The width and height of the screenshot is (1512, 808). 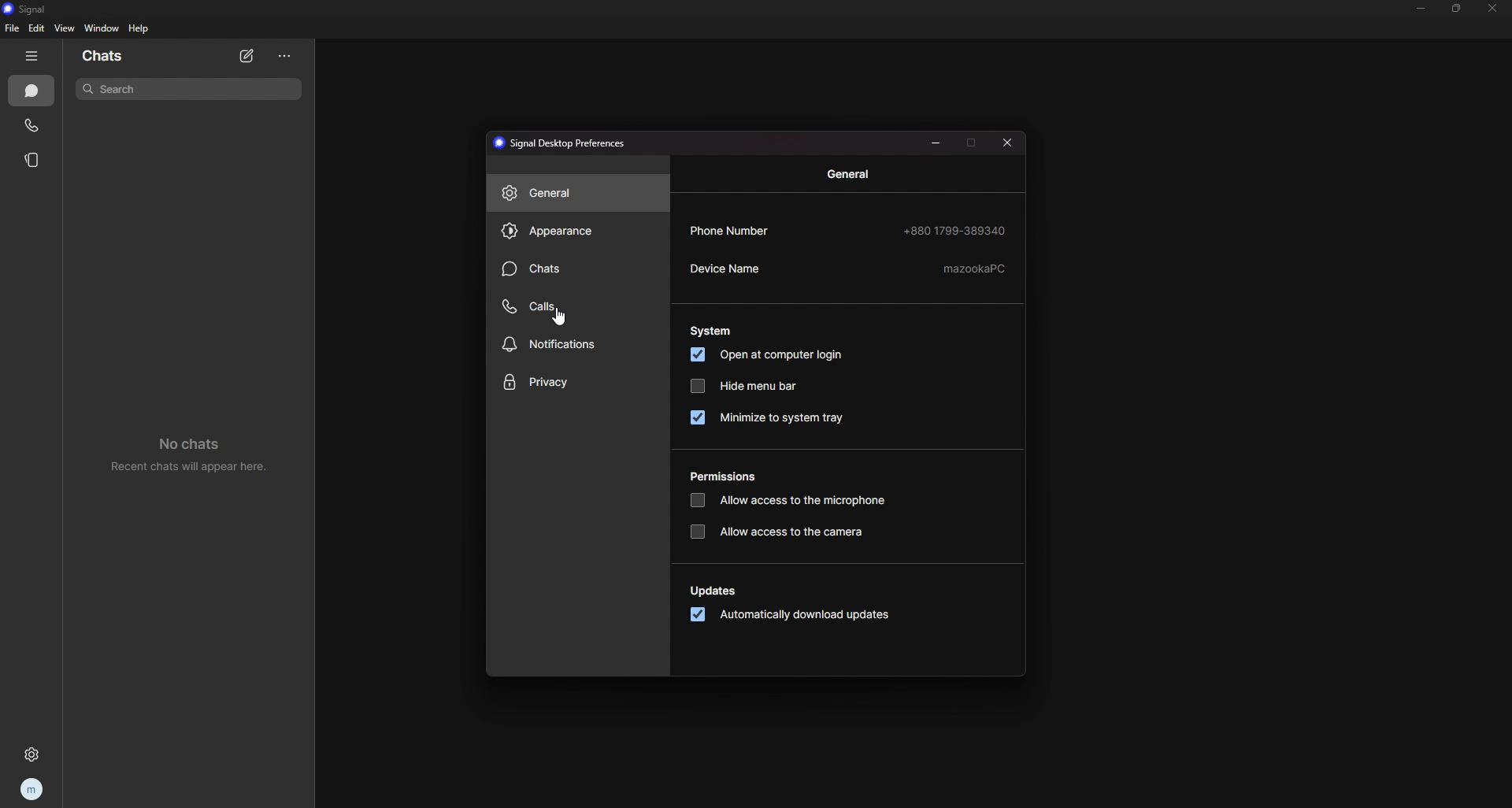 What do you see at coordinates (795, 616) in the screenshot?
I see `automatically download updates` at bounding box center [795, 616].